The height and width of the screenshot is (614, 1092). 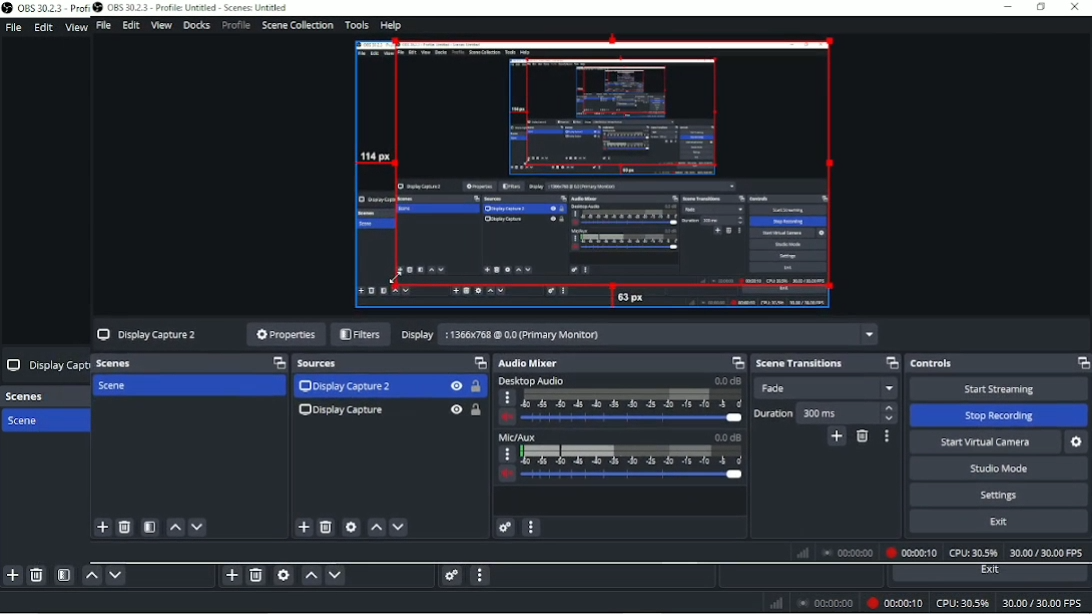 What do you see at coordinates (31, 396) in the screenshot?
I see `Scenes` at bounding box center [31, 396].